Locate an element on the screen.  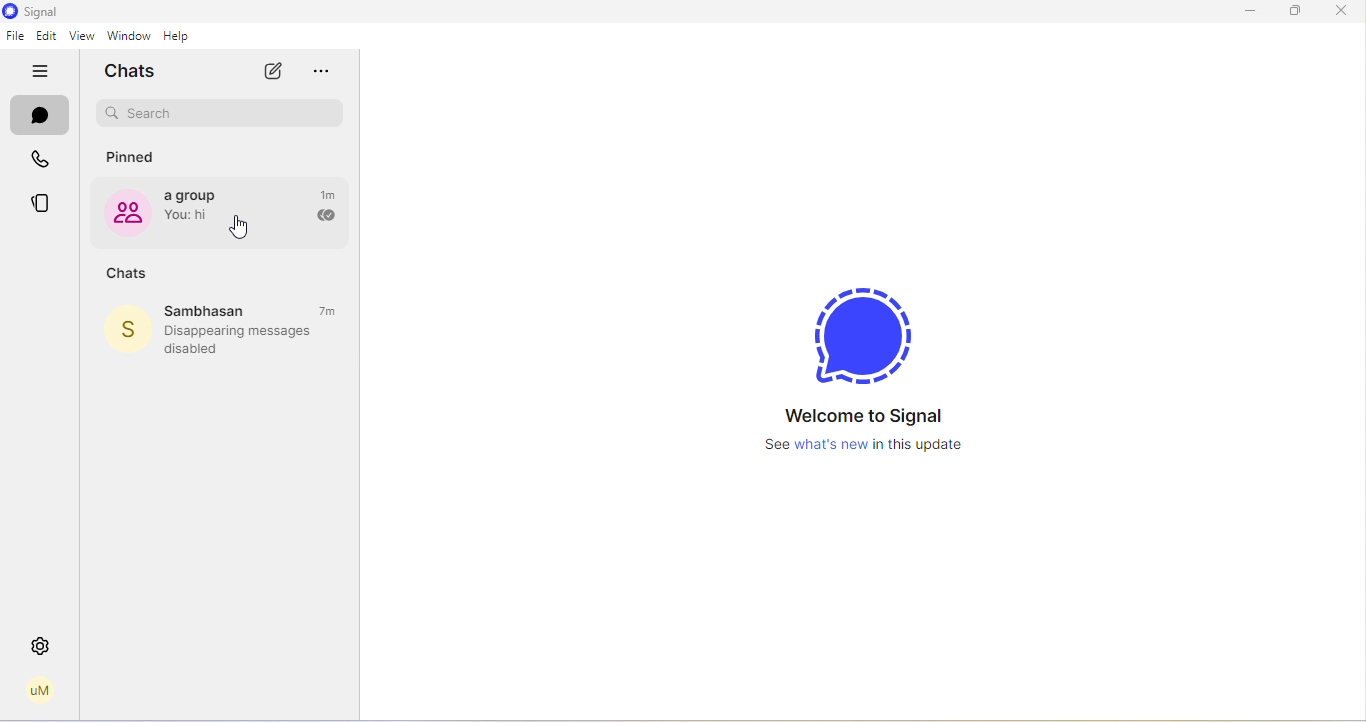
maximize is located at coordinates (1296, 11).